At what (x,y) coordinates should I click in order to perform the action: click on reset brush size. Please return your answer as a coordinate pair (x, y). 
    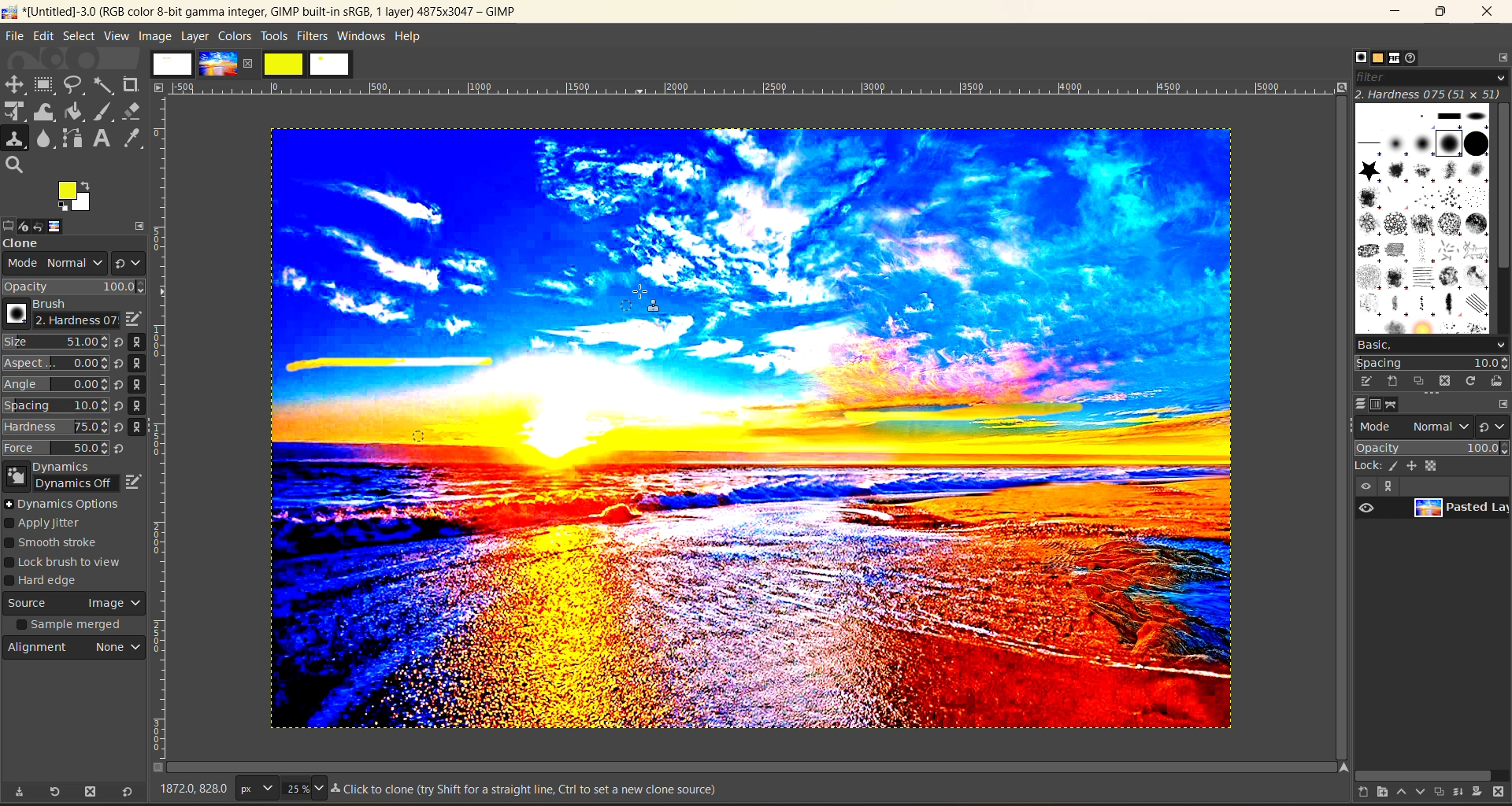
    Looking at the image, I should click on (121, 396).